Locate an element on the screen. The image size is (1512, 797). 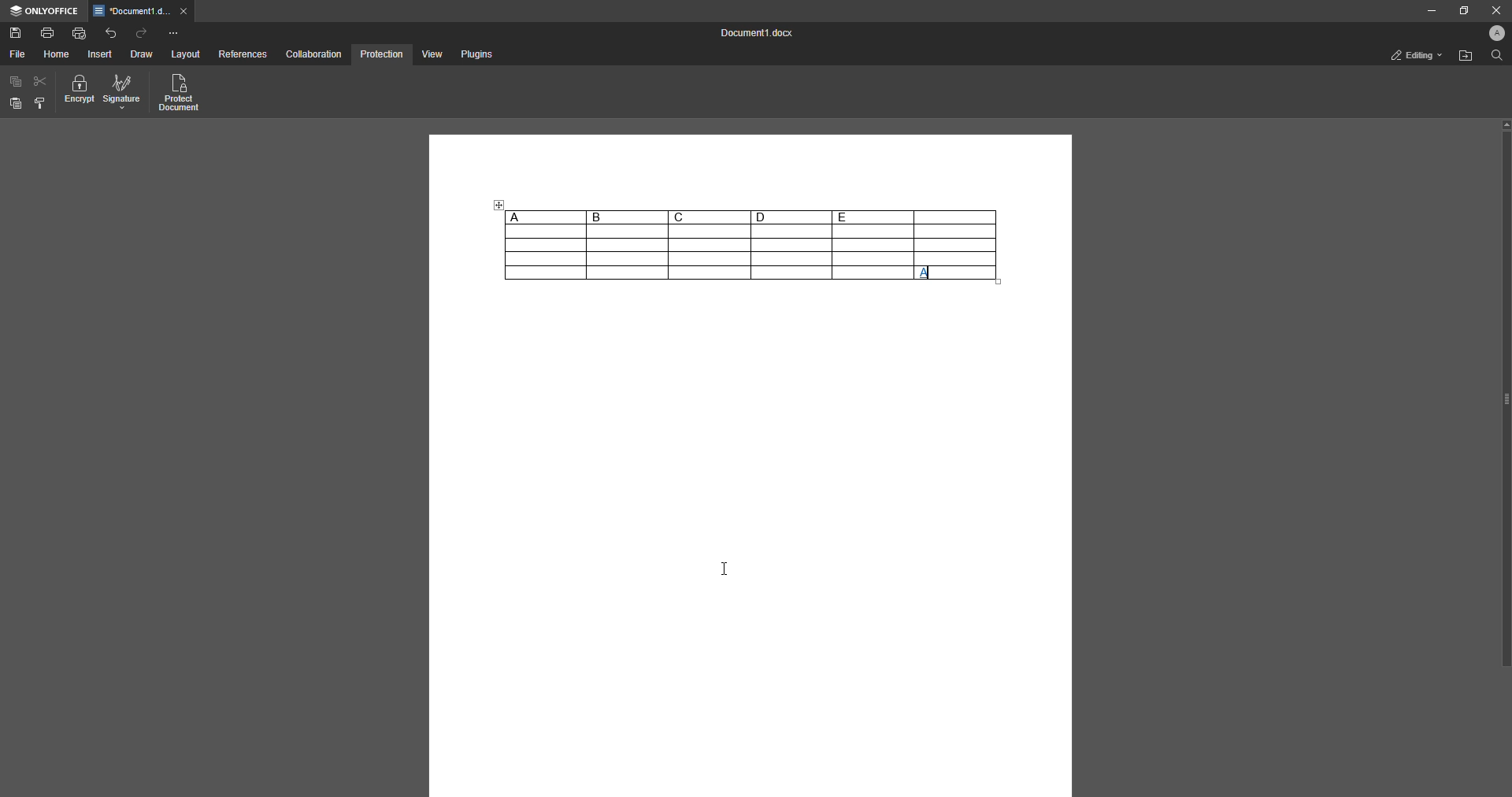
E is located at coordinates (873, 217).